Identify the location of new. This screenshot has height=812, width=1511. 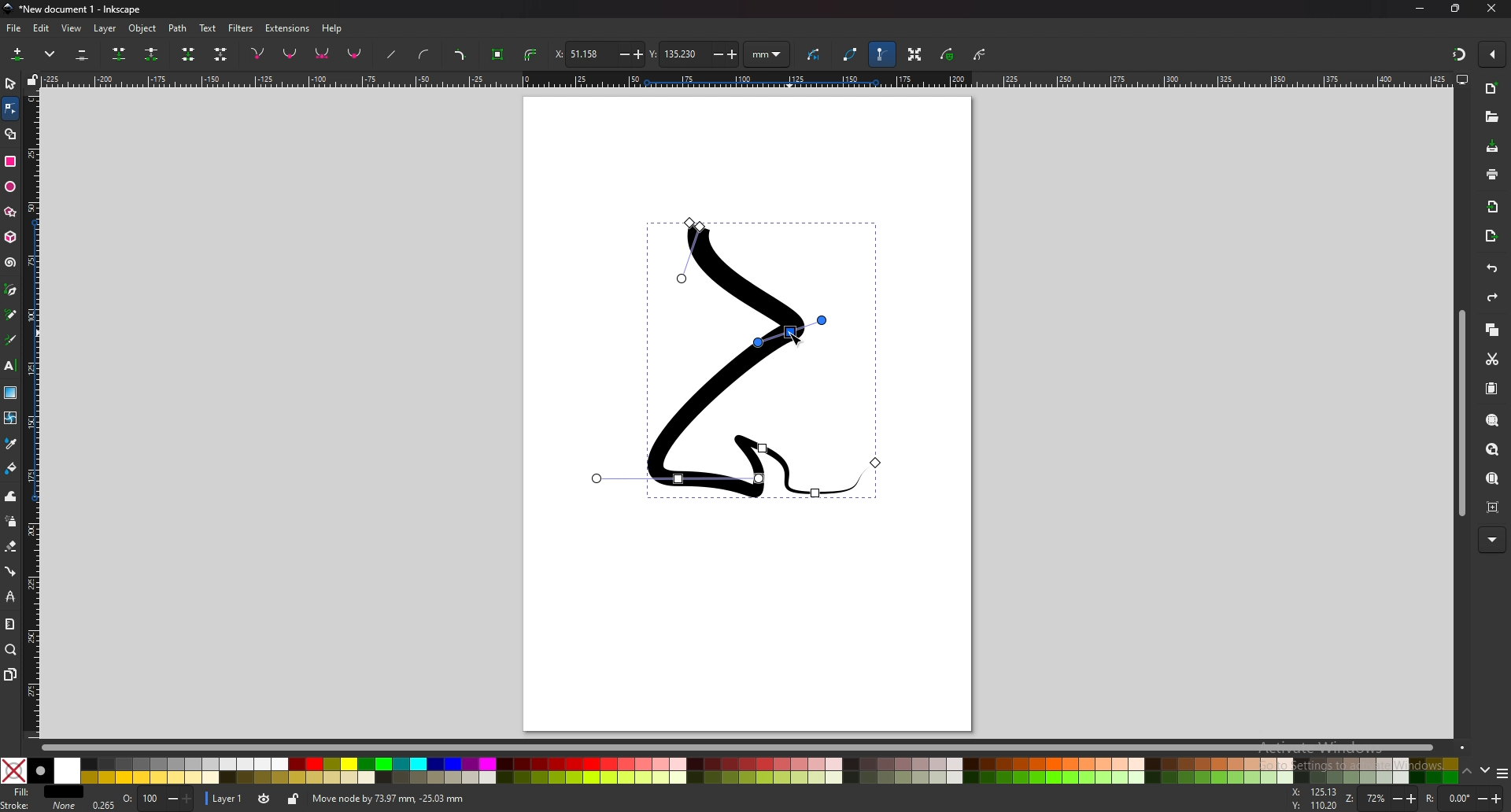
(1491, 89).